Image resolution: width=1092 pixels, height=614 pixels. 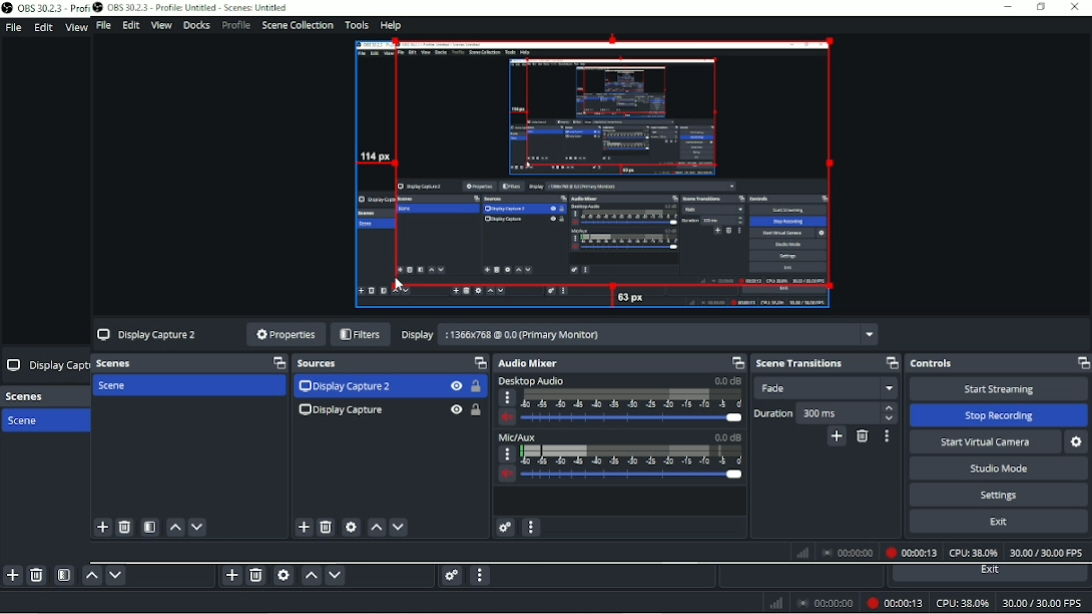 What do you see at coordinates (850, 553) in the screenshot?
I see `00:00:00` at bounding box center [850, 553].